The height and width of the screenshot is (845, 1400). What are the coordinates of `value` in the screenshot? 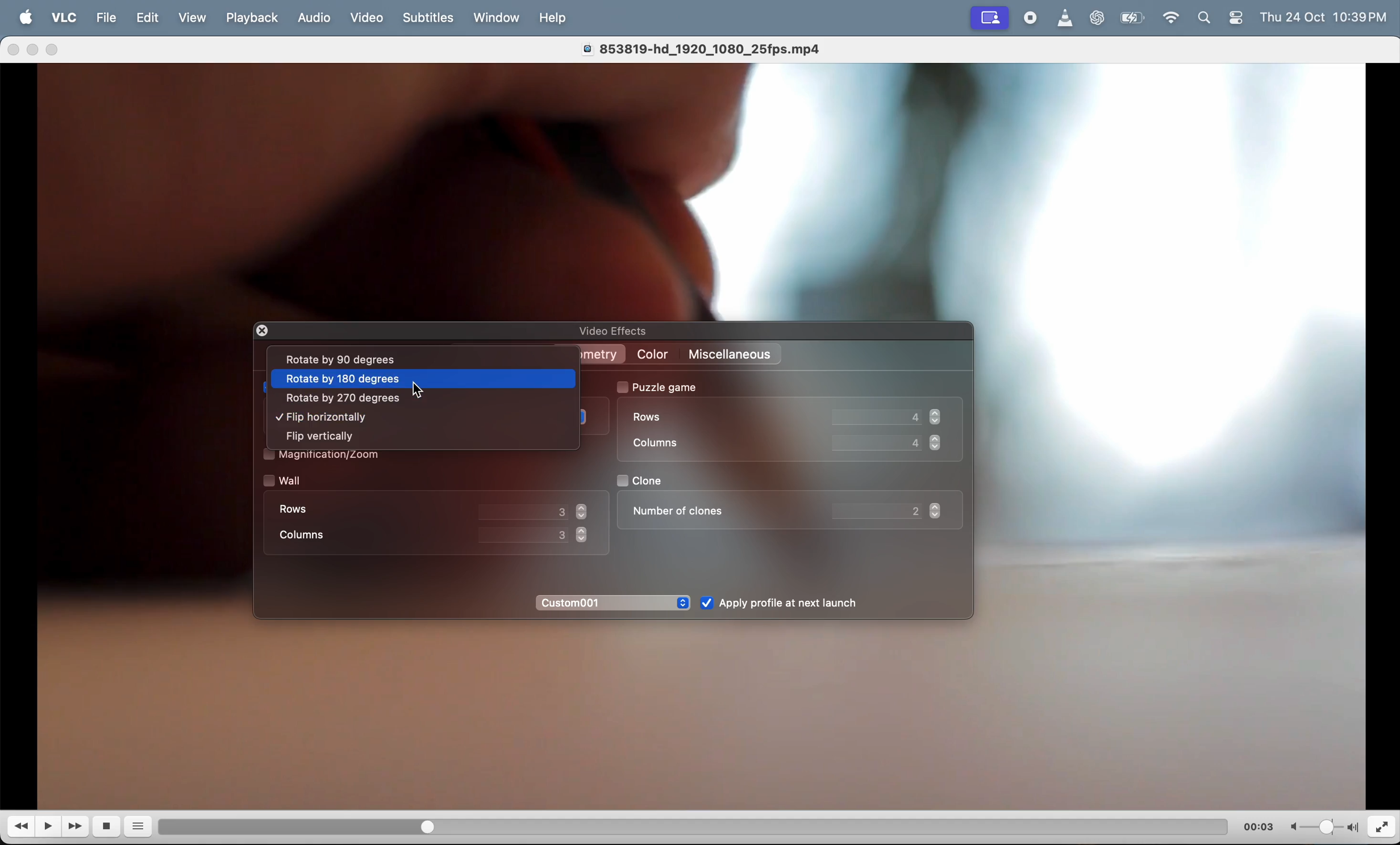 It's located at (534, 534).